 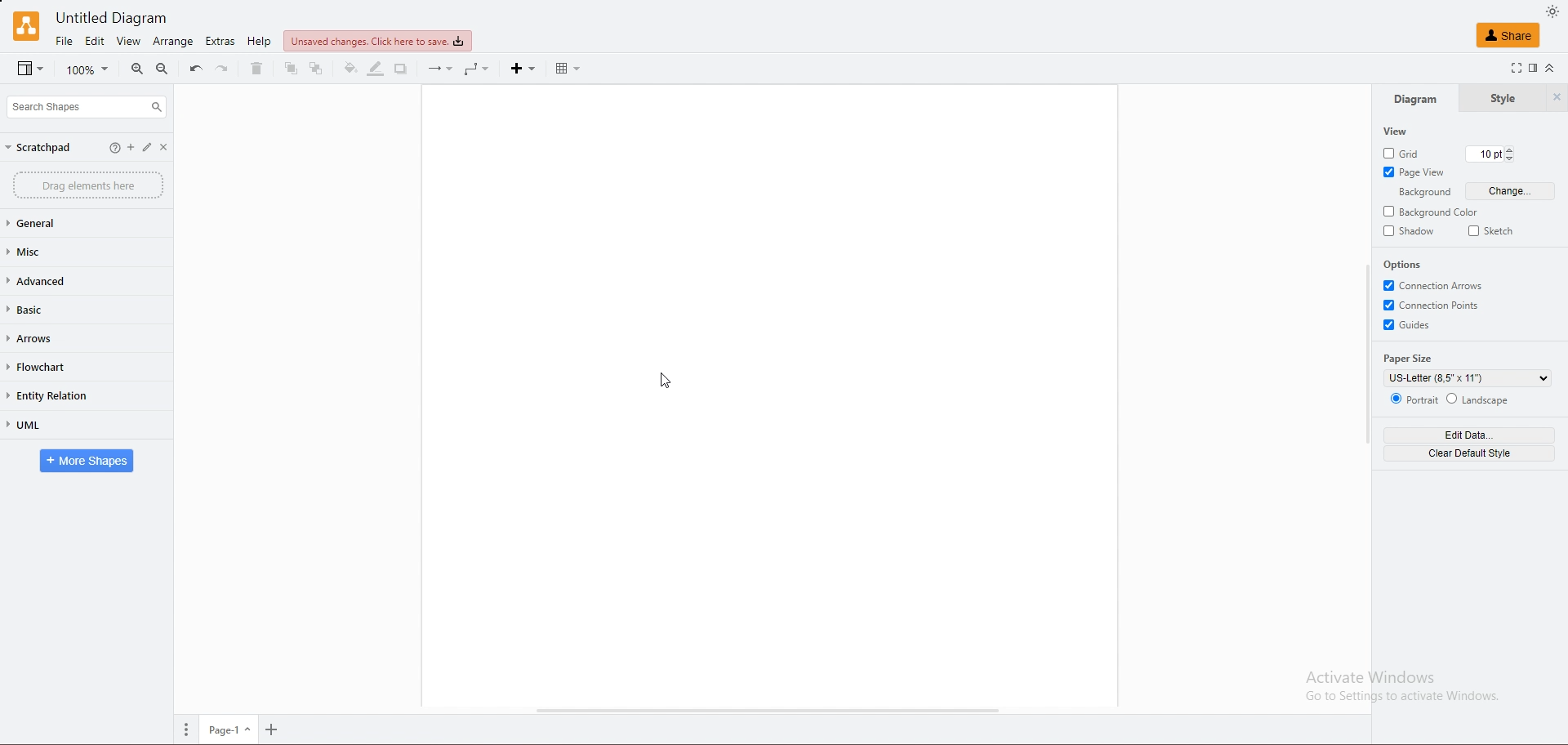 What do you see at coordinates (1553, 12) in the screenshot?
I see `dark mode` at bounding box center [1553, 12].